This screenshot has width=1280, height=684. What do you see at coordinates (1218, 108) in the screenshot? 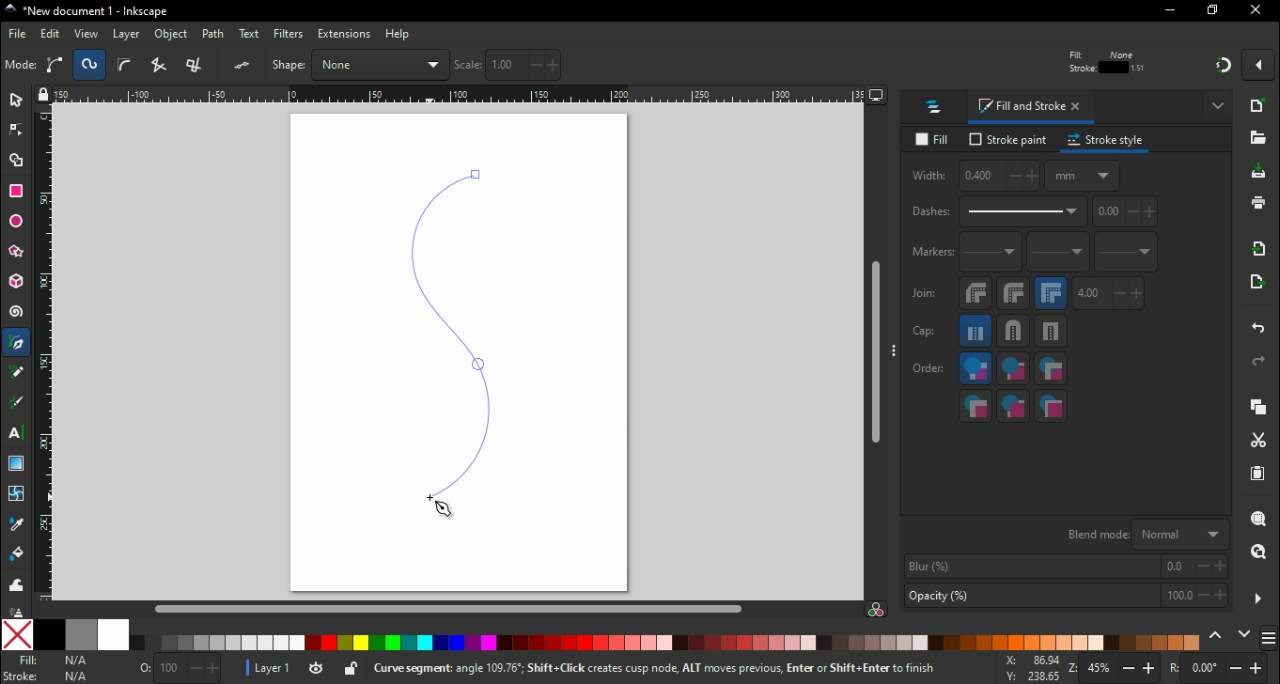
I see `show` at bounding box center [1218, 108].